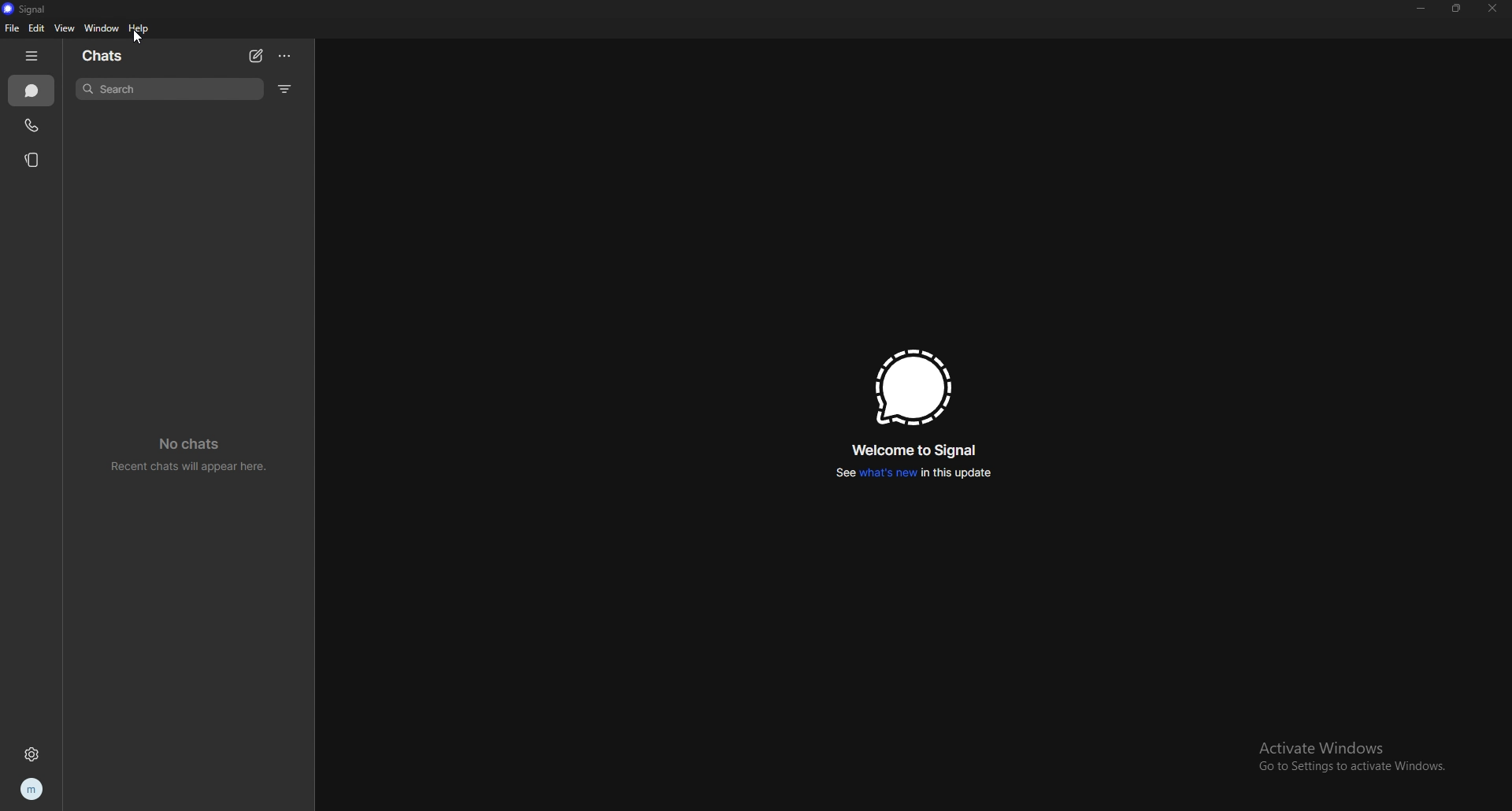 Image resolution: width=1512 pixels, height=811 pixels. What do you see at coordinates (287, 55) in the screenshot?
I see `options` at bounding box center [287, 55].